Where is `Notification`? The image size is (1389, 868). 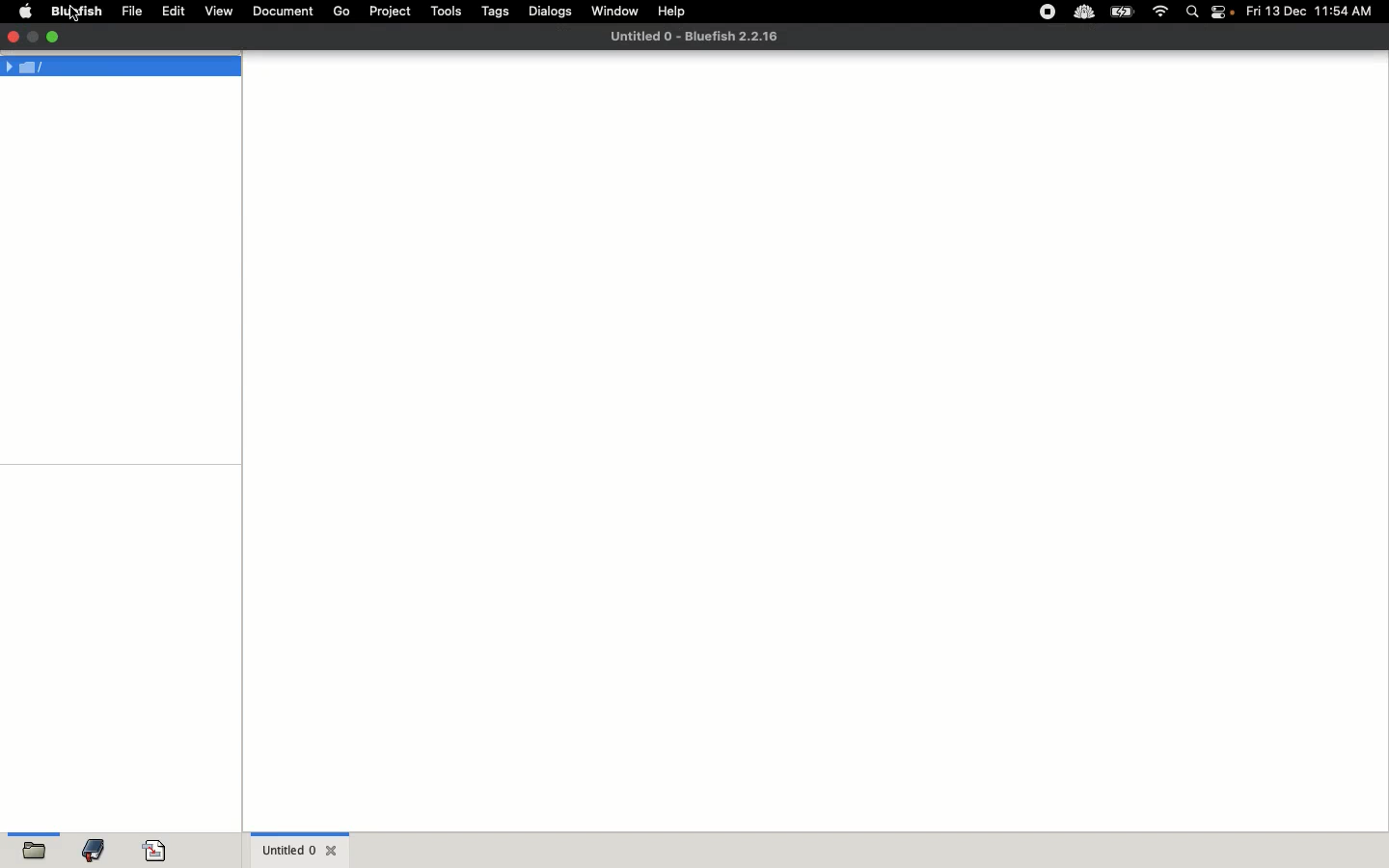 Notification is located at coordinates (1224, 14).